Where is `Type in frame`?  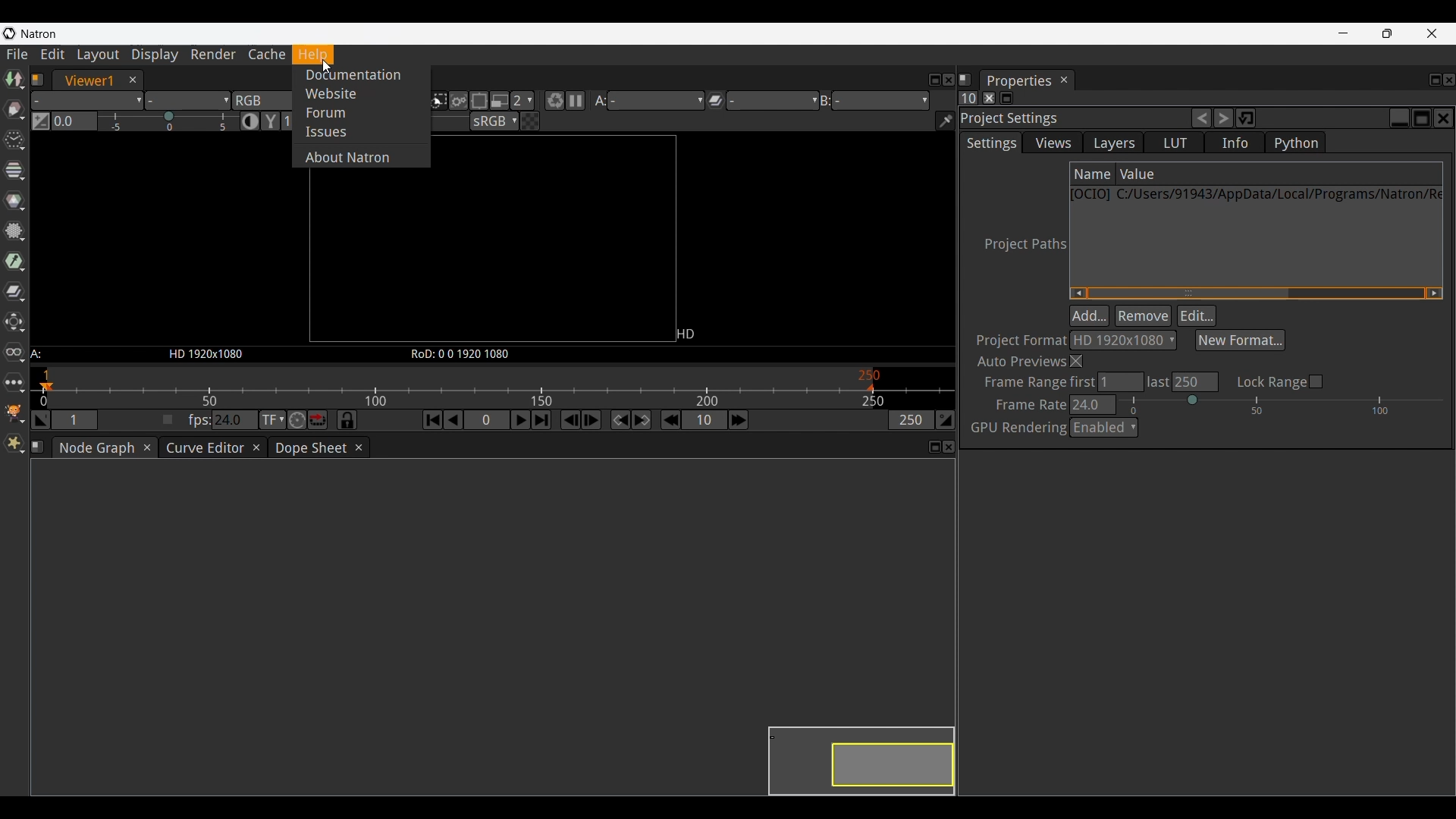 Type in frame is located at coordinates (488, 420).